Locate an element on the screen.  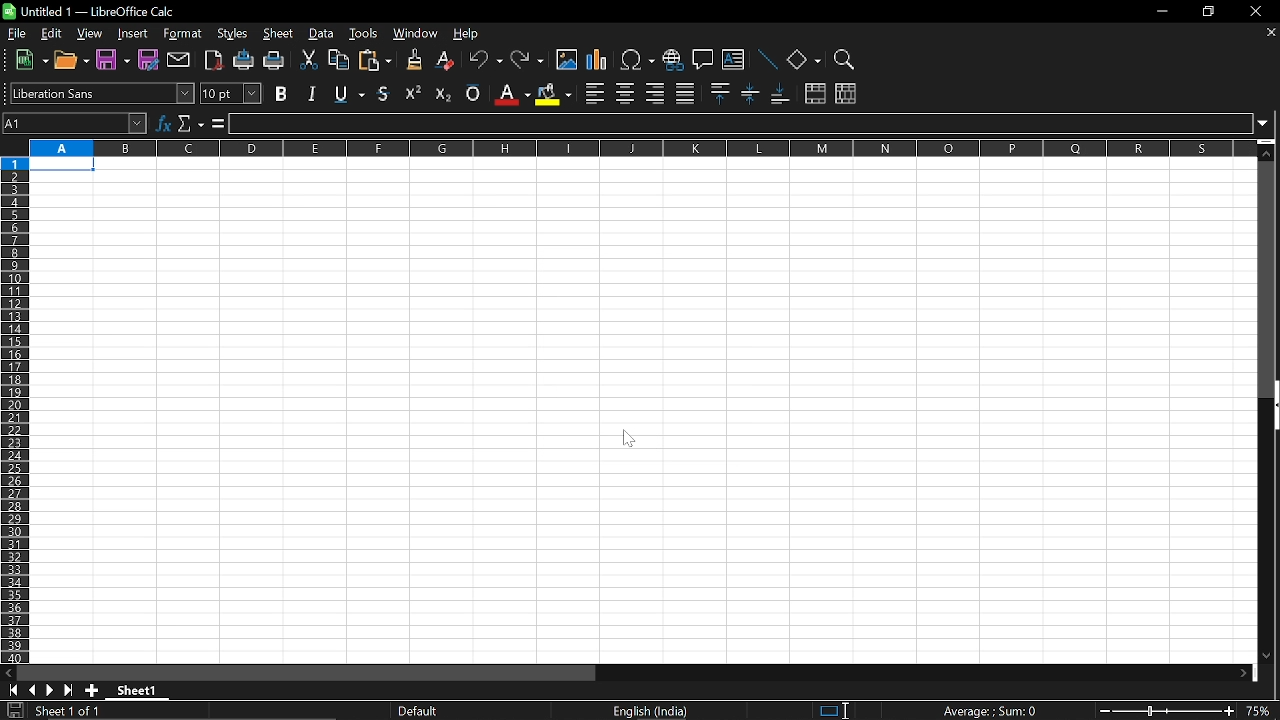
move left is located at coordinates (8, 671).